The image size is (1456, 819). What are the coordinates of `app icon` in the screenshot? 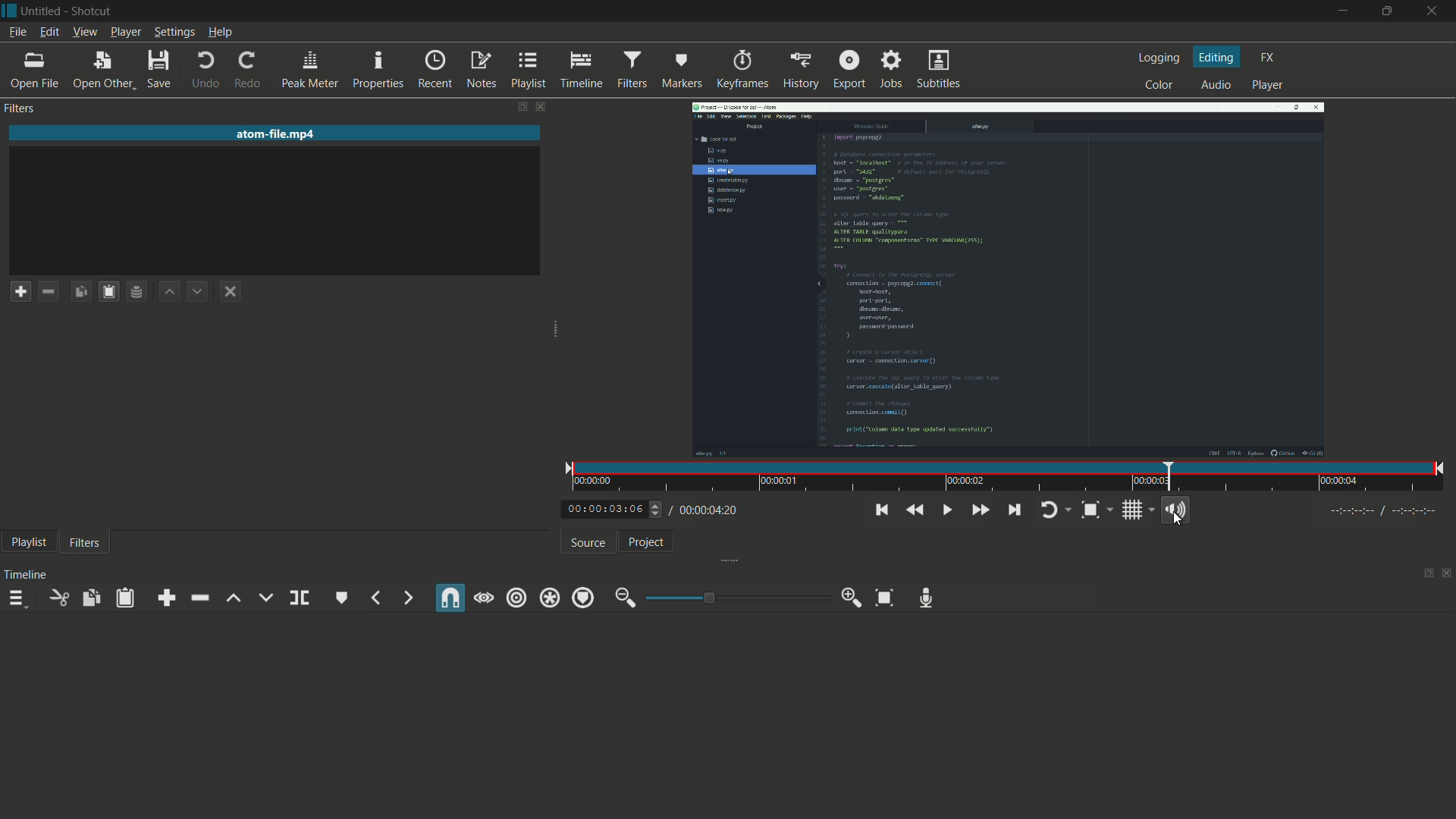 It's located at (9, 10).